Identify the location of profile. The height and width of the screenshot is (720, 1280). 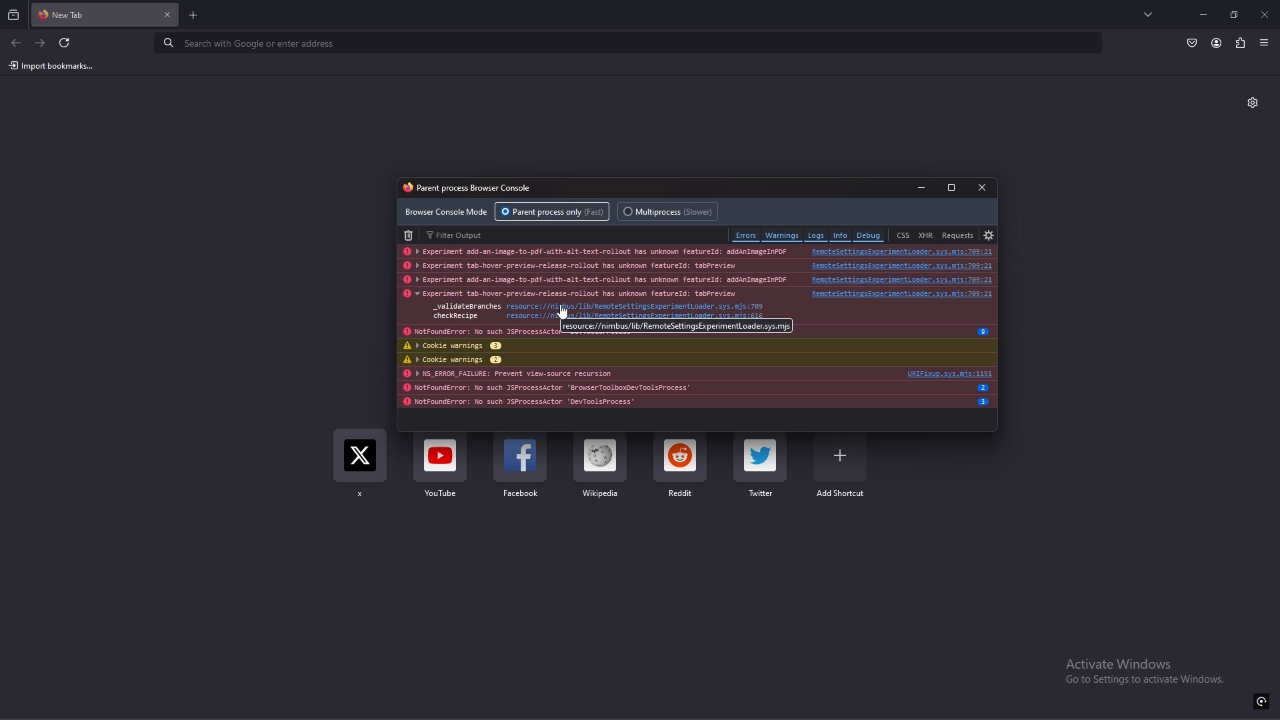
(1217, 43).